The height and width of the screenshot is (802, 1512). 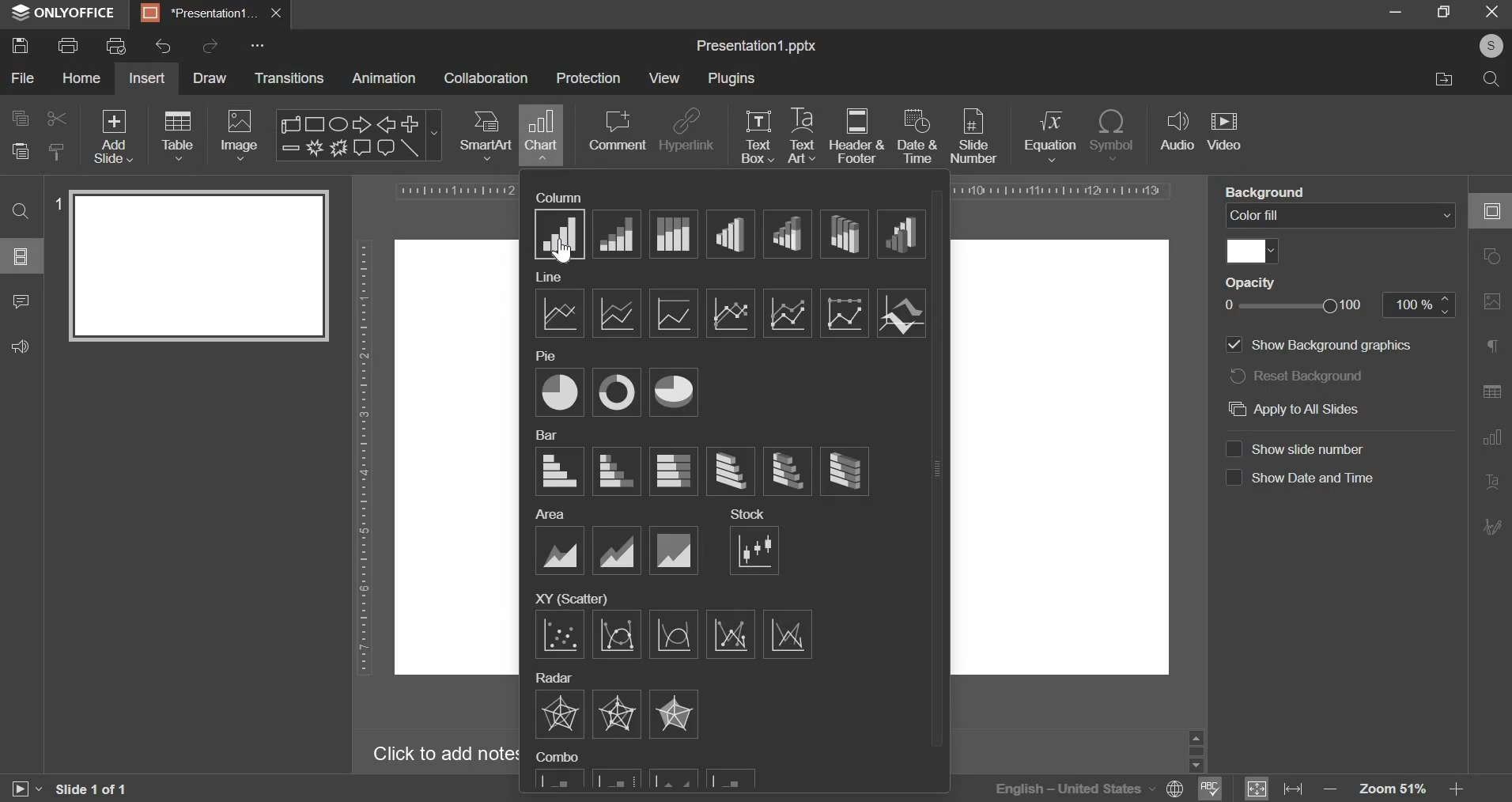 What do you see at coordinates (1174, 791) in the screenshot?
I see `language` at bounding box center [1174, 791].